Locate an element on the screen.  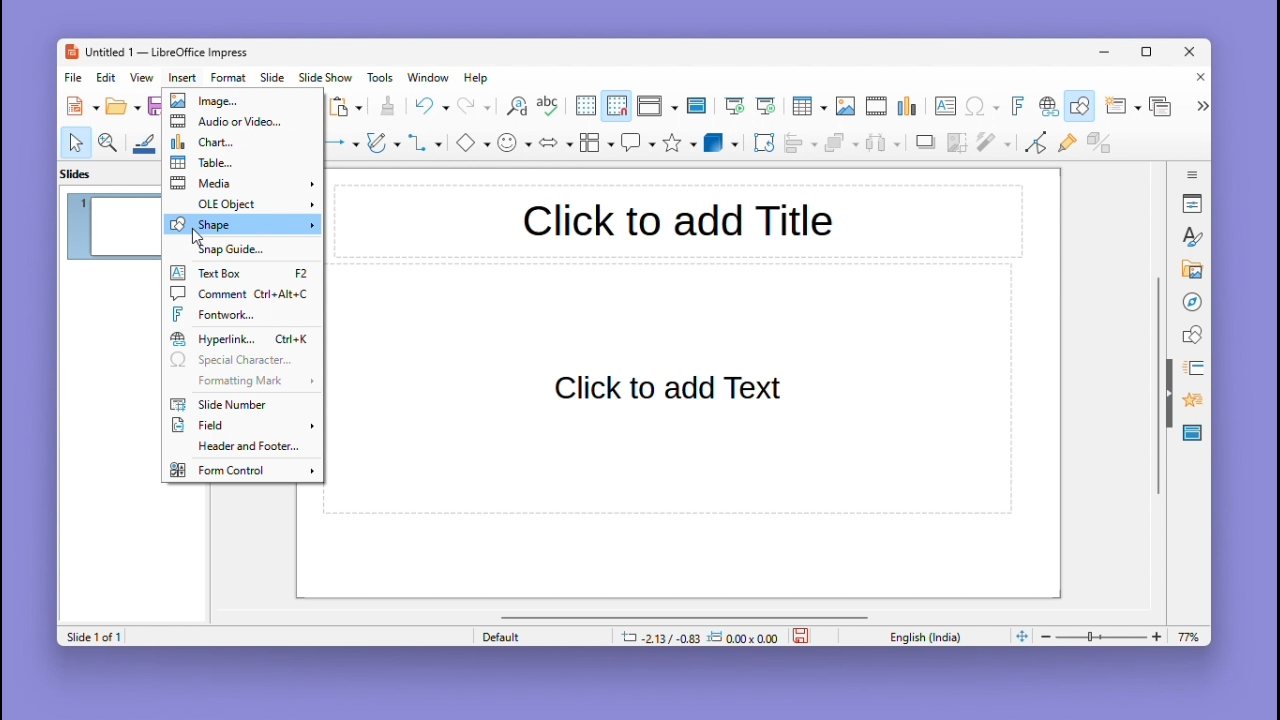
display grid is located at coordinates (584, 107).